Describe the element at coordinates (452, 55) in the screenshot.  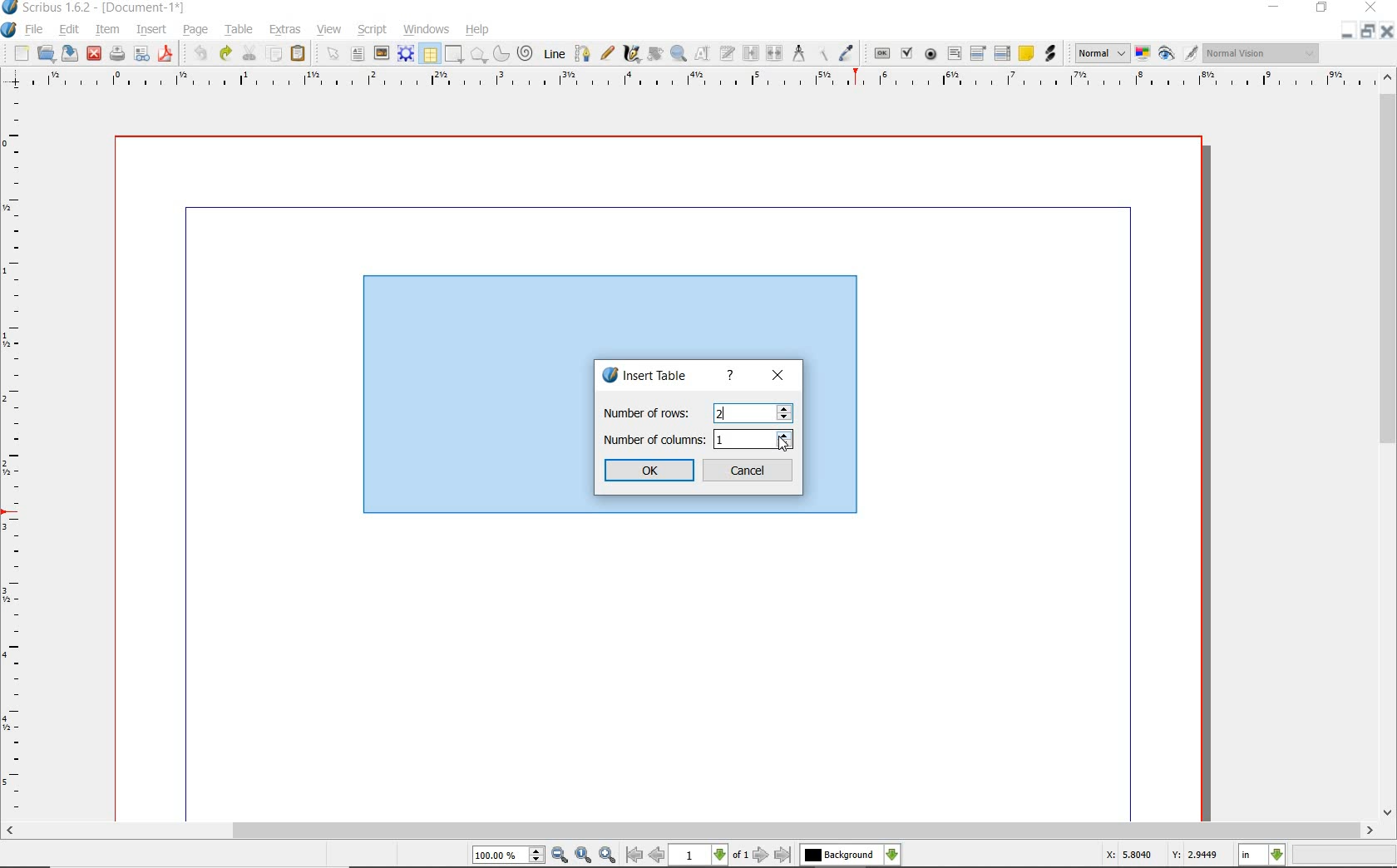
I see `shape` at that location.